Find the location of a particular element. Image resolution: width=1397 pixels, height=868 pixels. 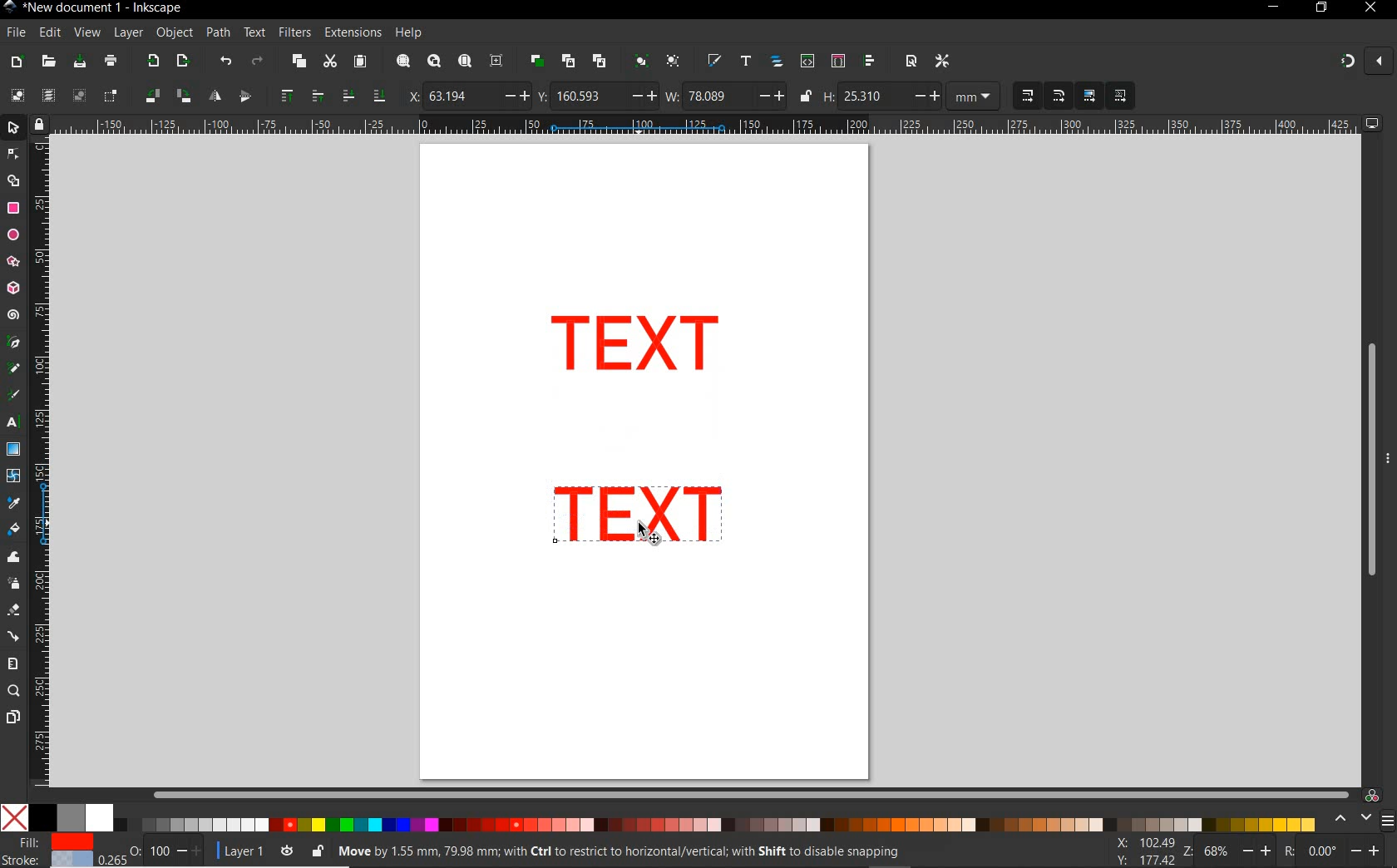

zoom drawing is located at coordinates (433, 63).